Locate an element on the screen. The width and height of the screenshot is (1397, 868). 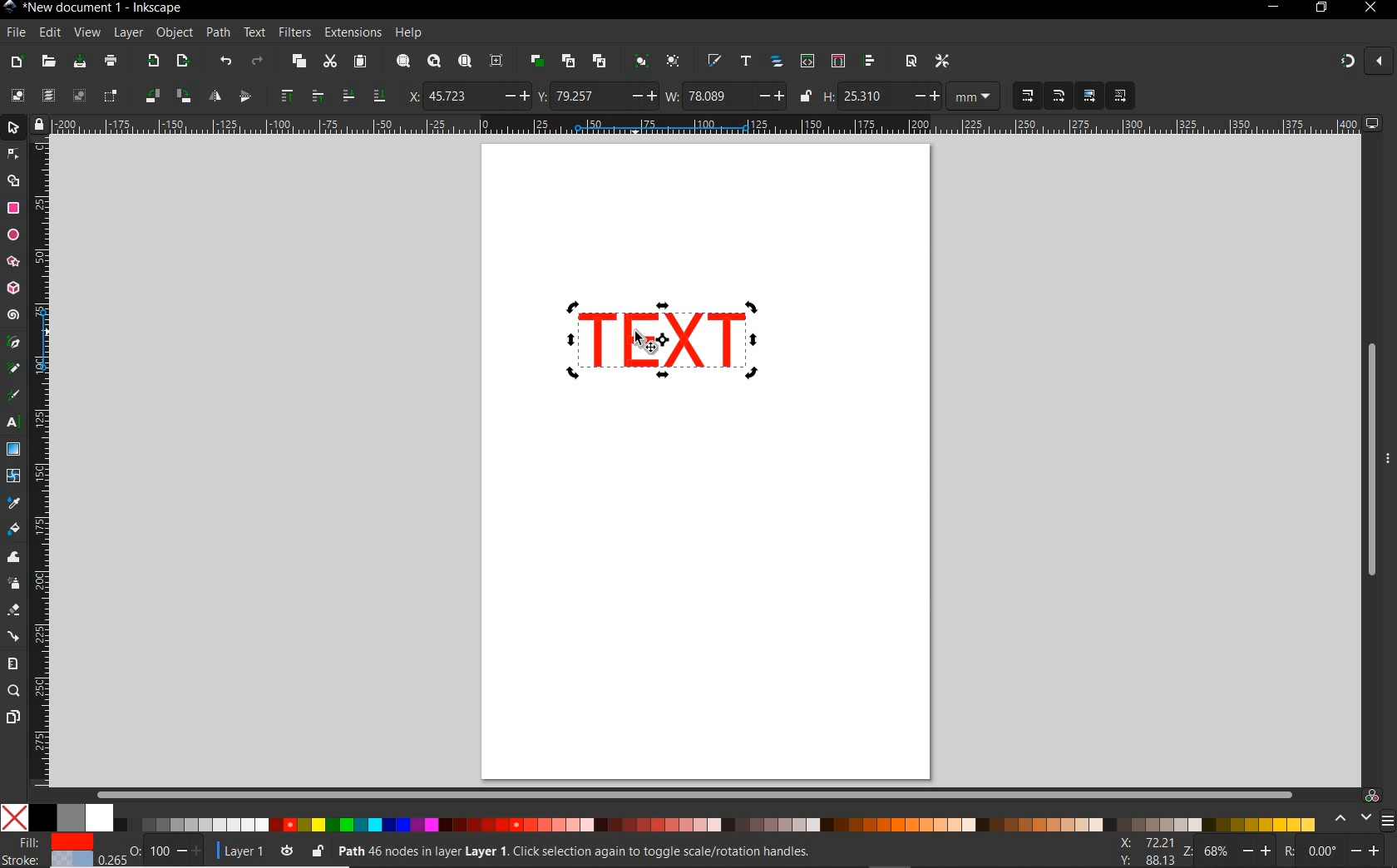
MEASURE TOOL is located at coordinates (12, 663).